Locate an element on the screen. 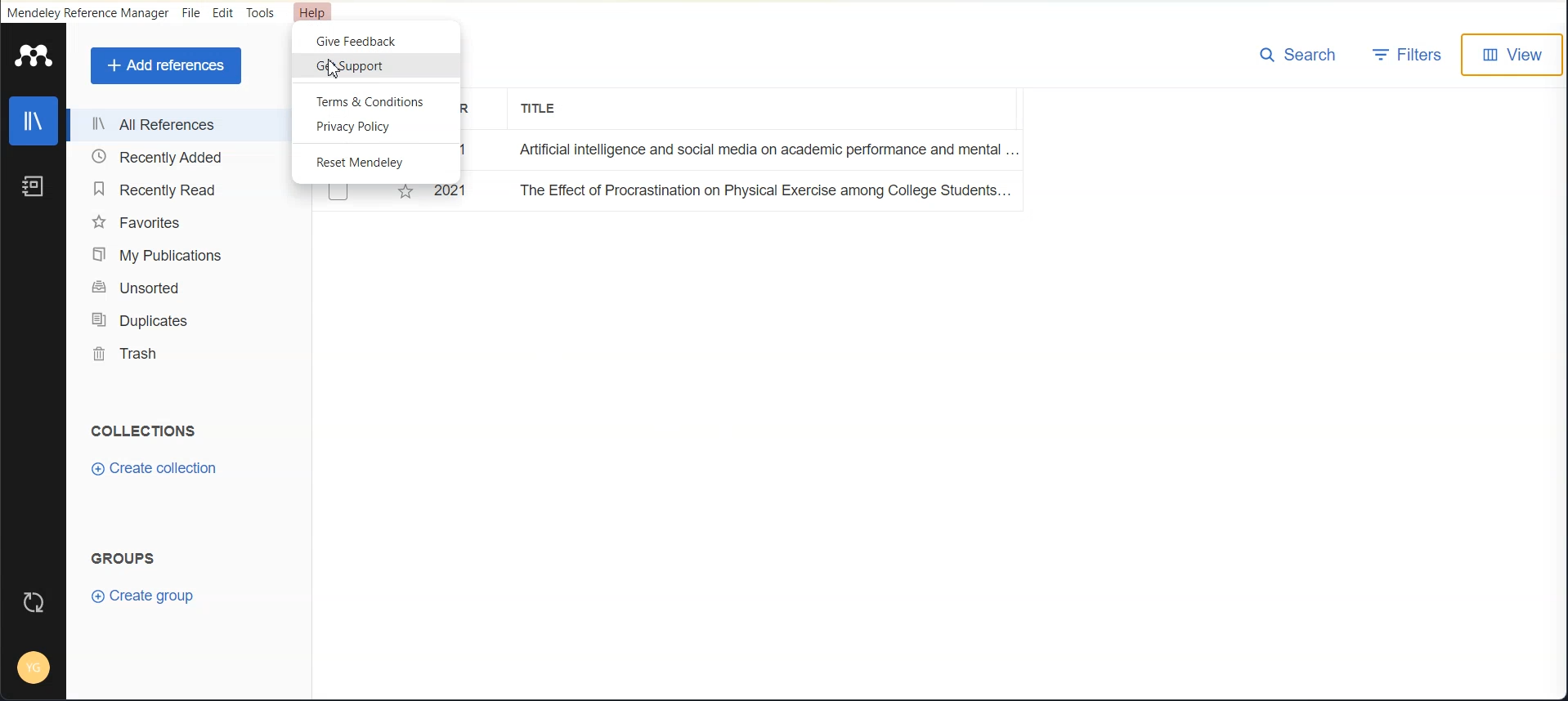  Help is located at coordinates (313, 13).